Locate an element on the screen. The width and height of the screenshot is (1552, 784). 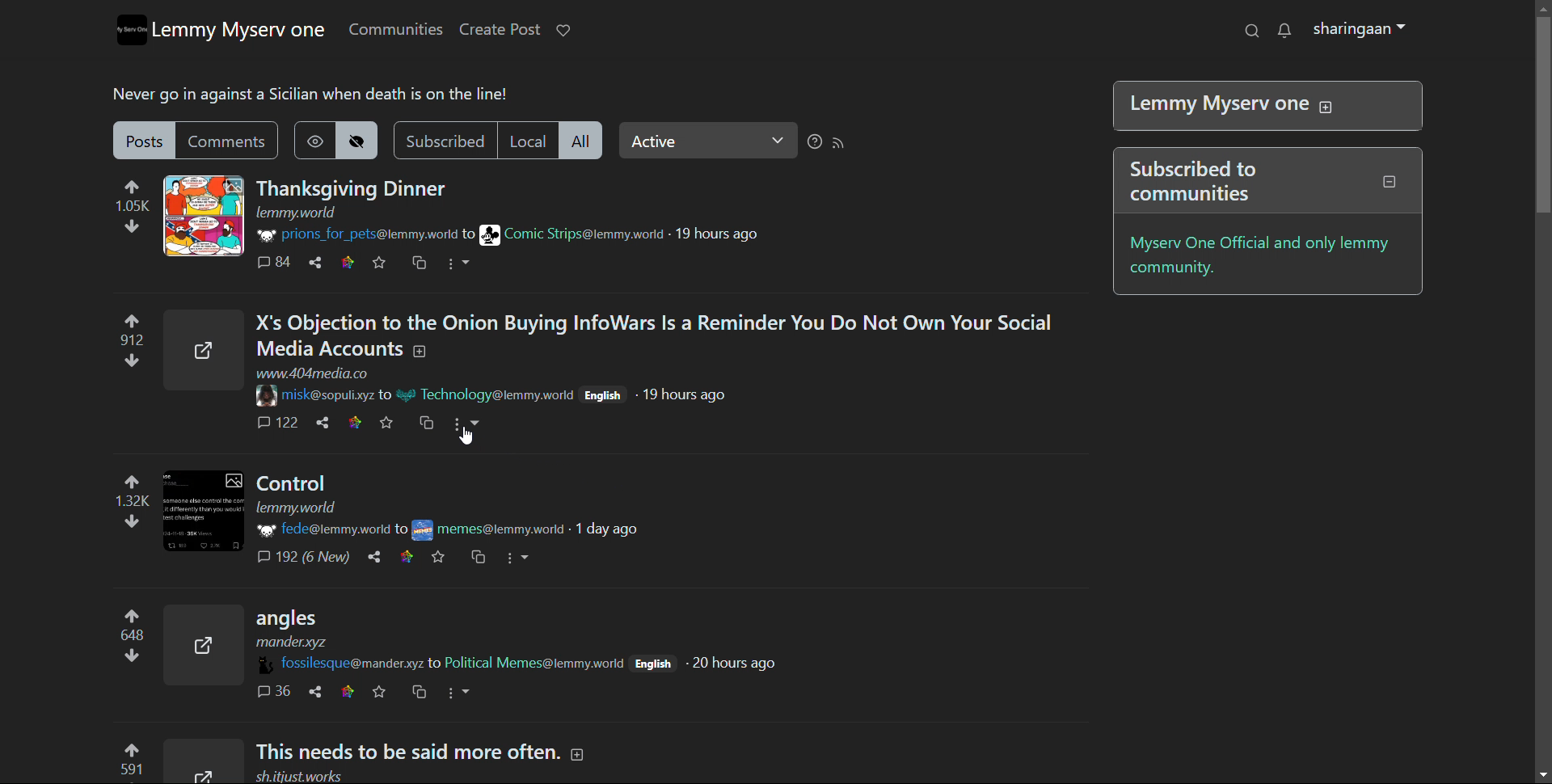
upvote and downvote is located at coordinates (119, 499).